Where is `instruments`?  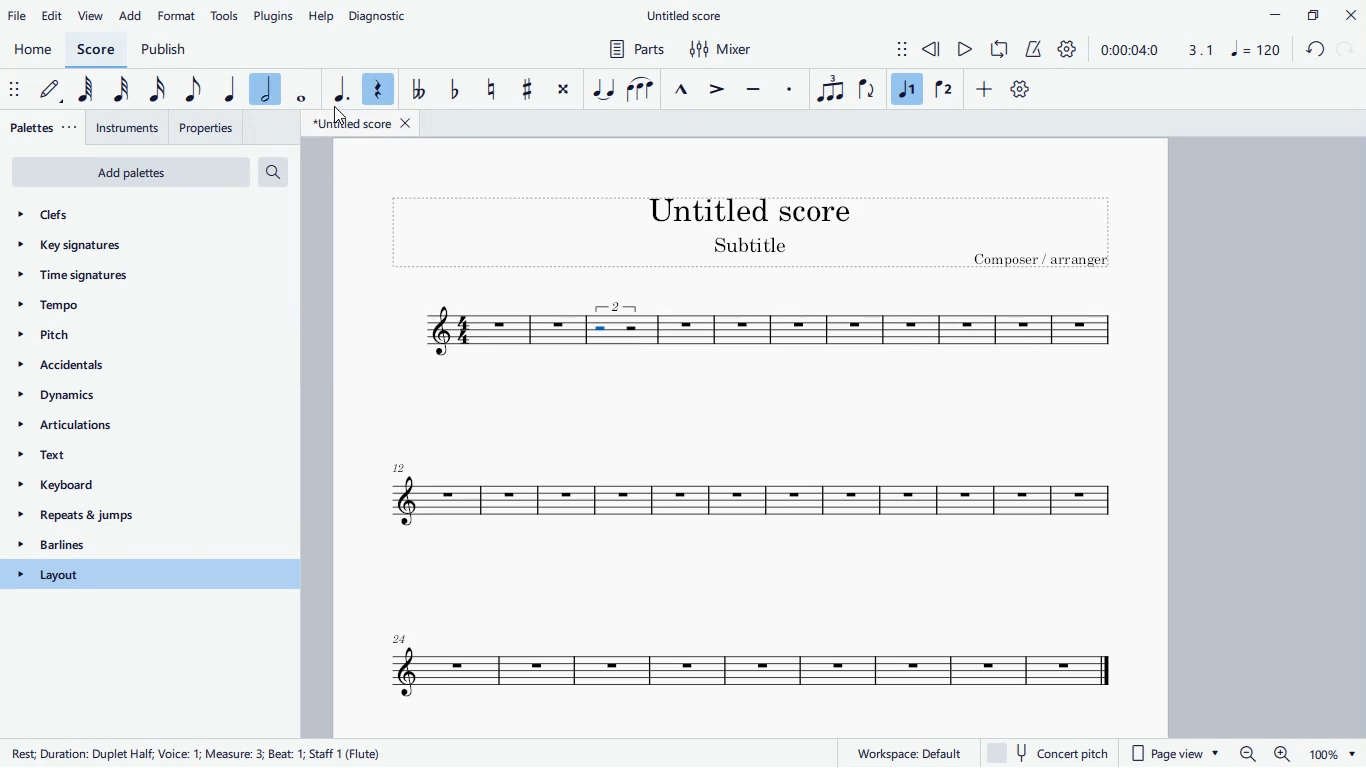
instruments is located at coordinates (130, 128).